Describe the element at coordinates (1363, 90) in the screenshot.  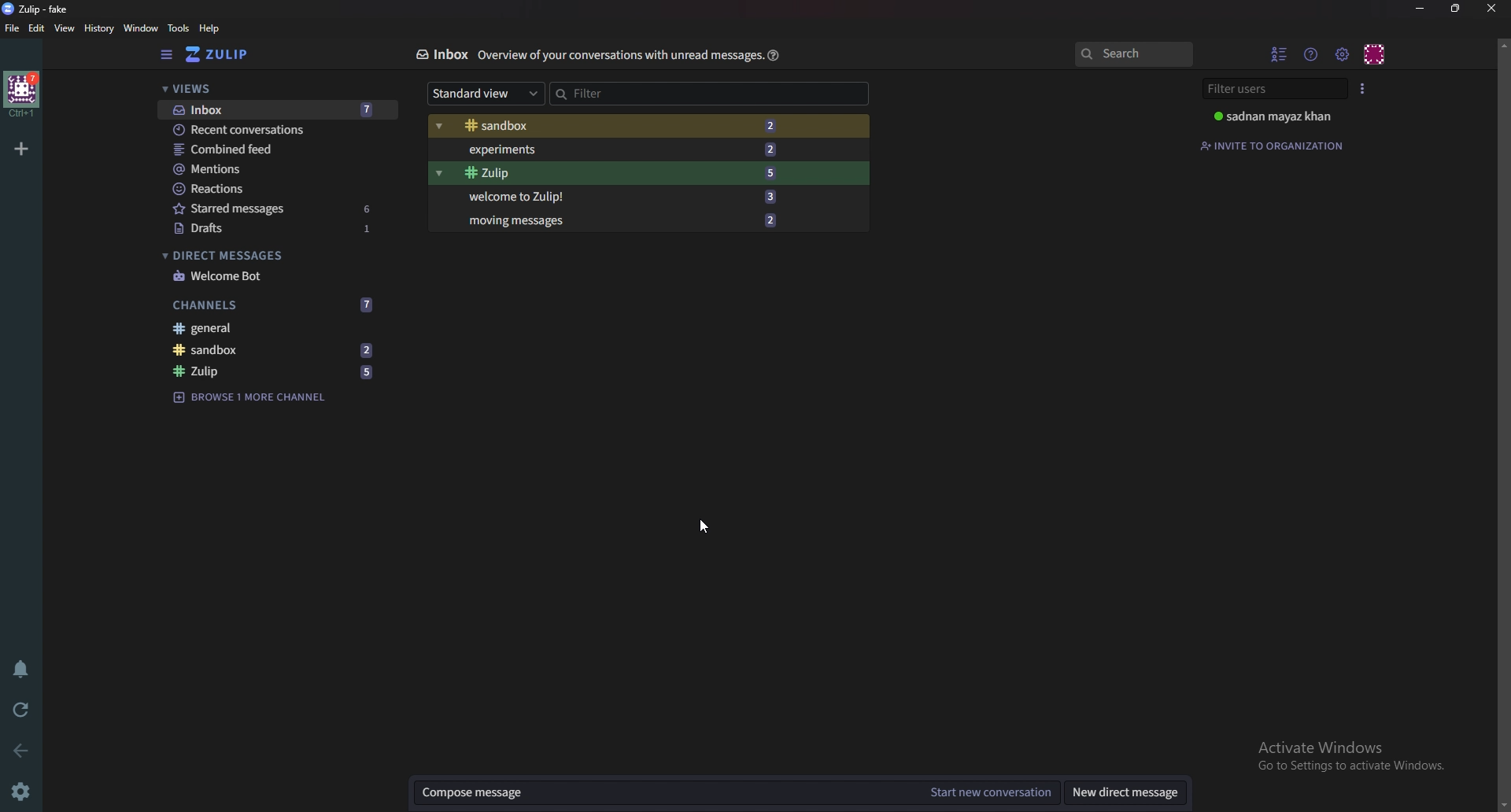
I see `User list style` at that location.